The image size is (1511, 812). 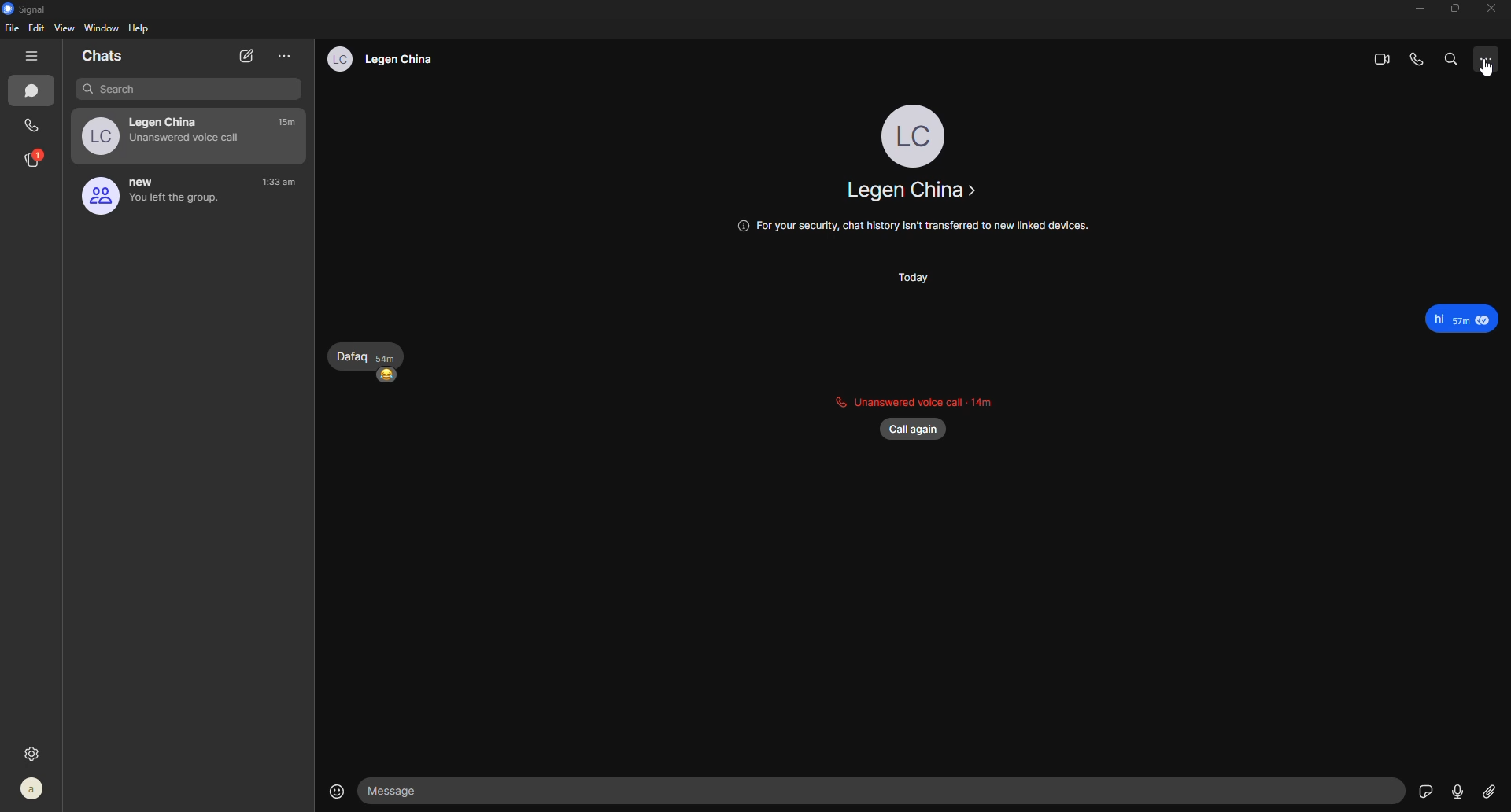 What do you see at coordinates (38, 28) in the screenshot?
I see `edit` at bounding box center [38, 28].